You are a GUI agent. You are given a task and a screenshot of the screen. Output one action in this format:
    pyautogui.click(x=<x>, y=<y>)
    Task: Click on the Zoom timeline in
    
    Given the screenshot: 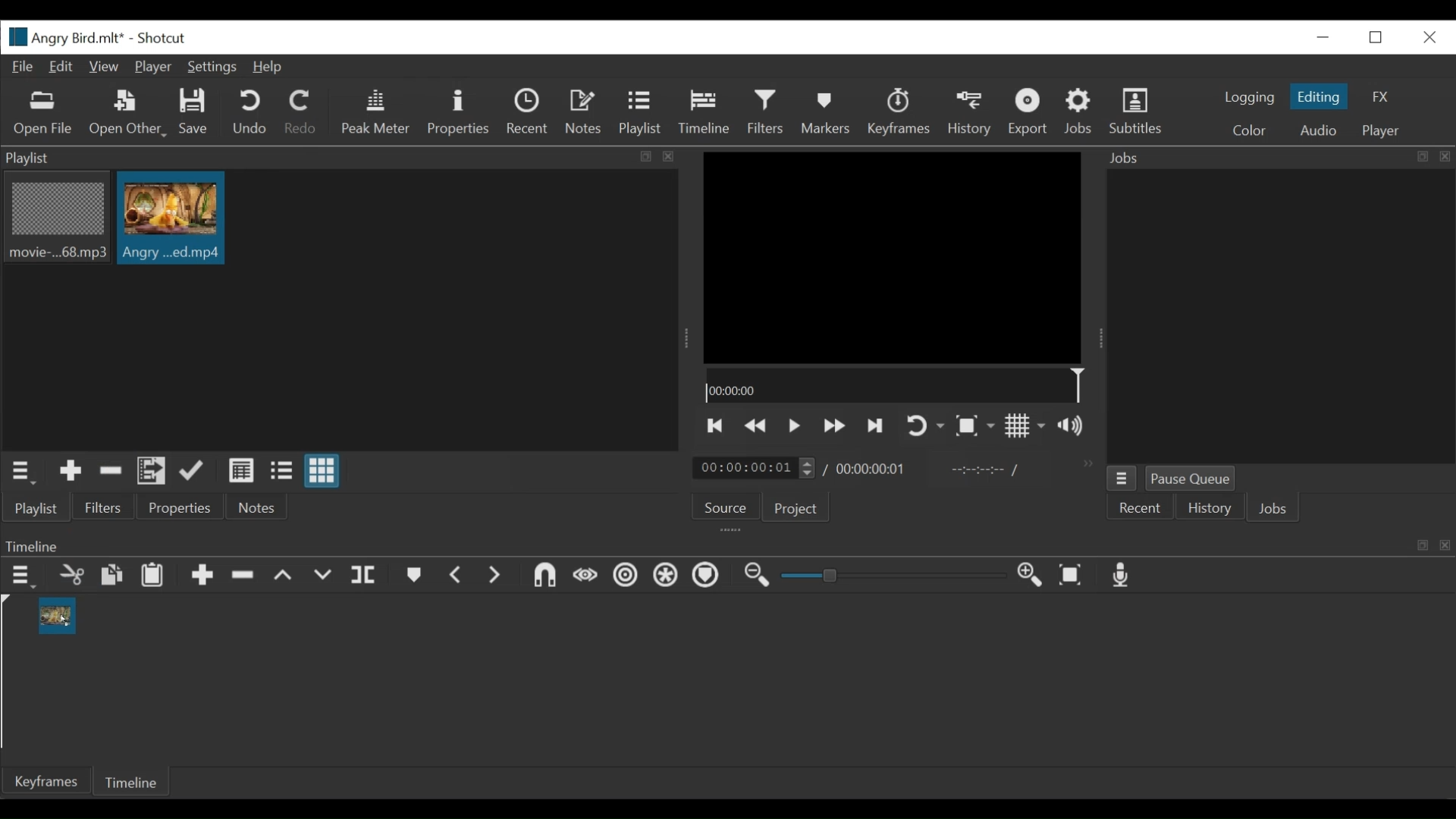 What is the action you would take?
    pyautogui.click(x=1032, y=576)
    